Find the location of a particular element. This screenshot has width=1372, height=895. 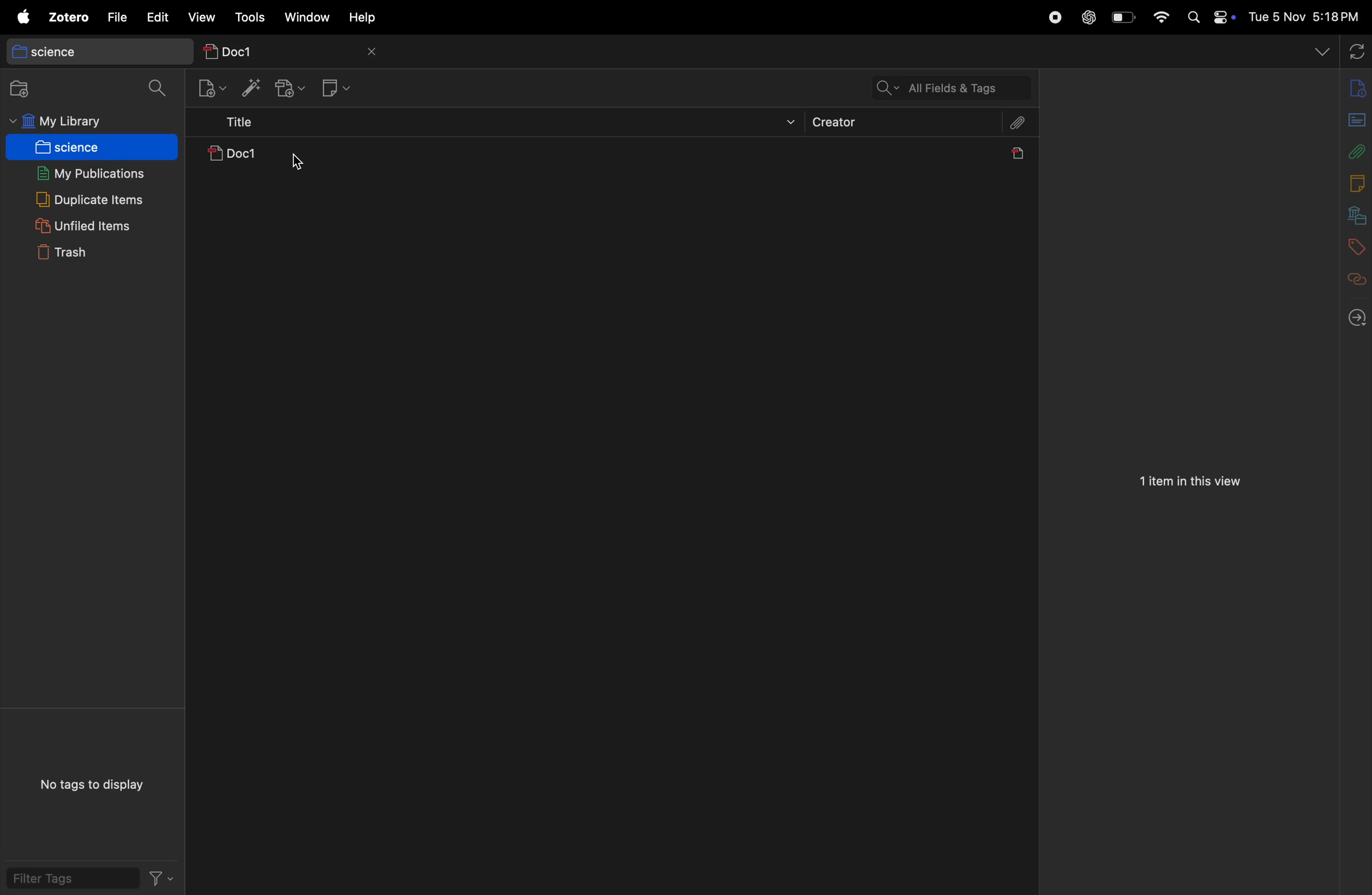

add file is located at coordinates (1354, 88).